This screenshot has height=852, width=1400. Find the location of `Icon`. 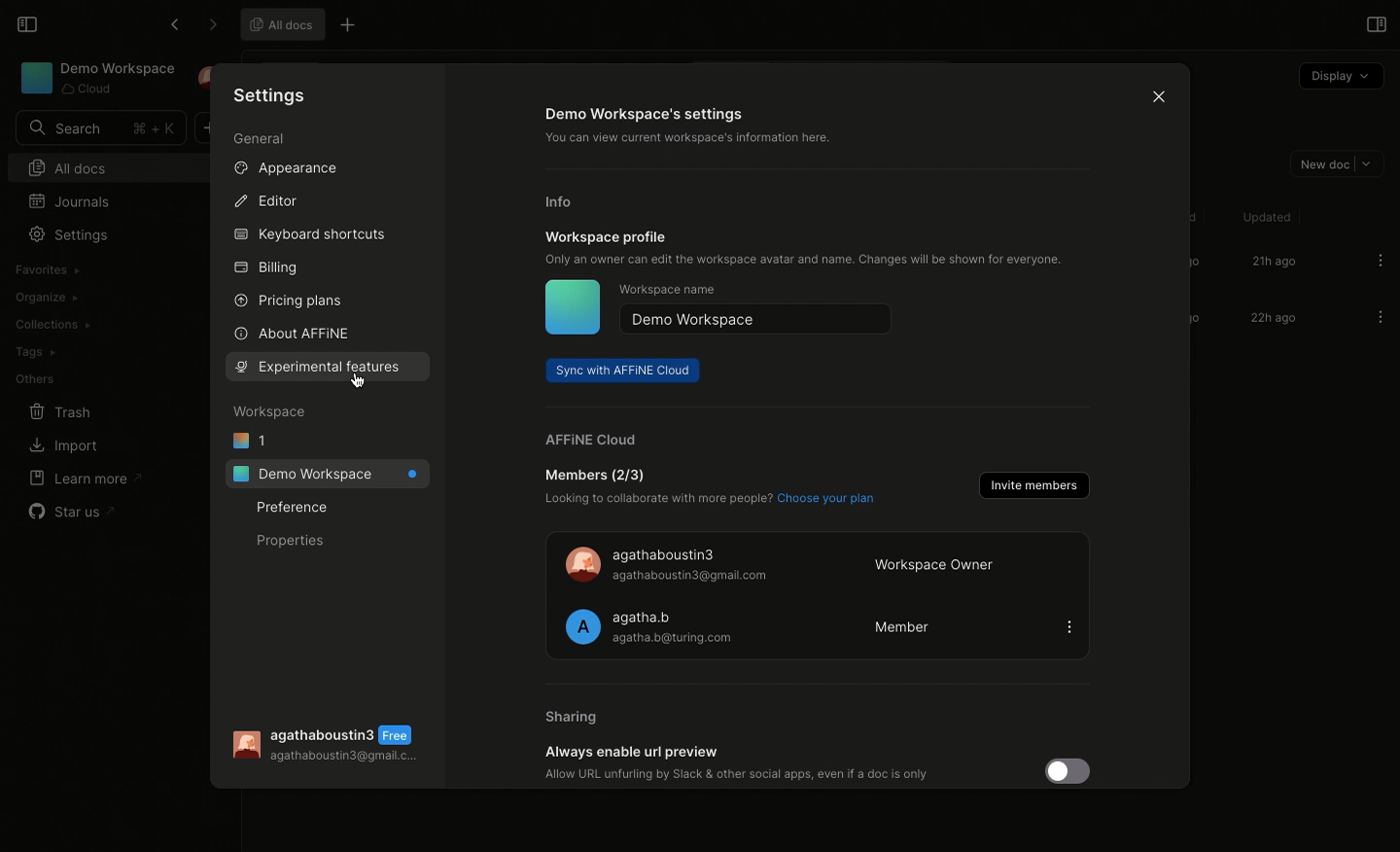

Icon is located at coordinates (572, 307).